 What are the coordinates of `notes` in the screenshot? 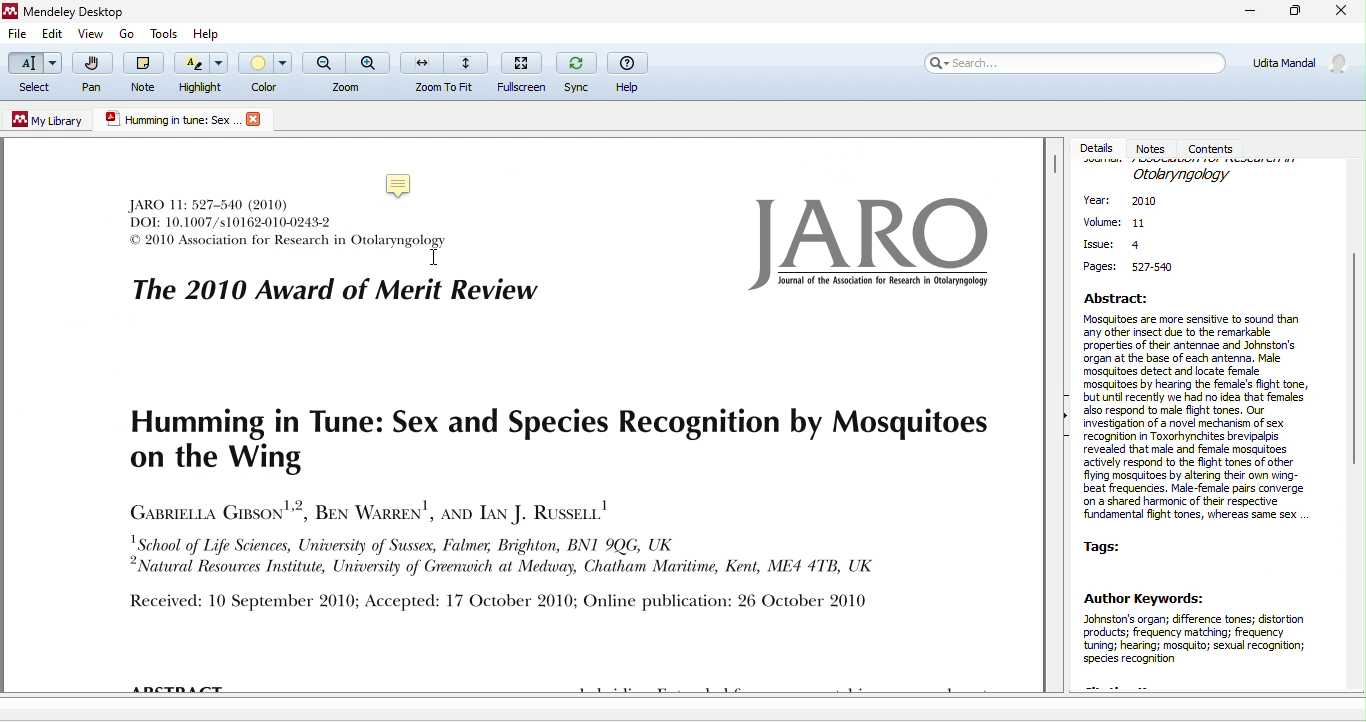 It's located at (1154, 147).